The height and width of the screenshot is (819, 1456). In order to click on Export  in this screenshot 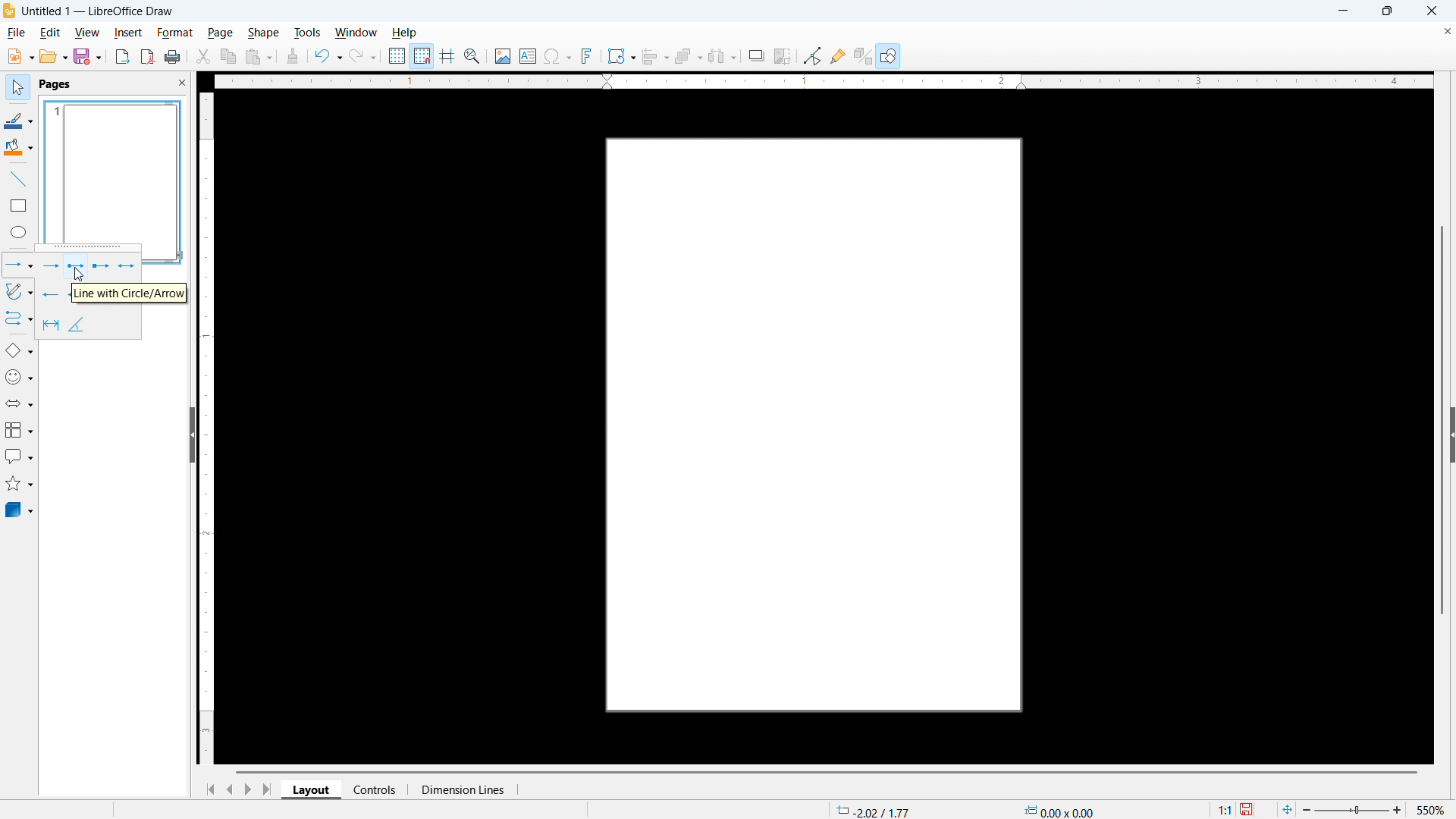, I will do `click(123, 57)`.